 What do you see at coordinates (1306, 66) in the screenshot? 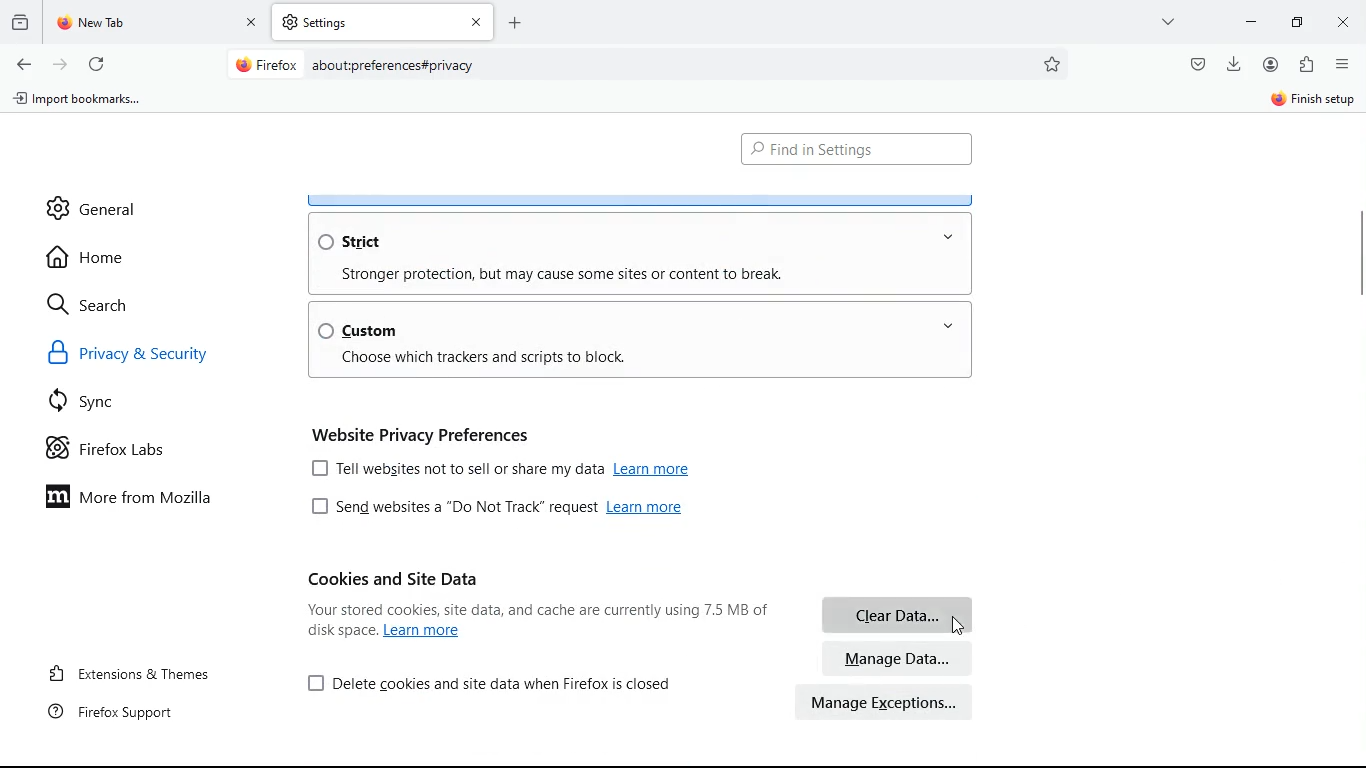
I see `extentions` at bounding box center [1306, 66].